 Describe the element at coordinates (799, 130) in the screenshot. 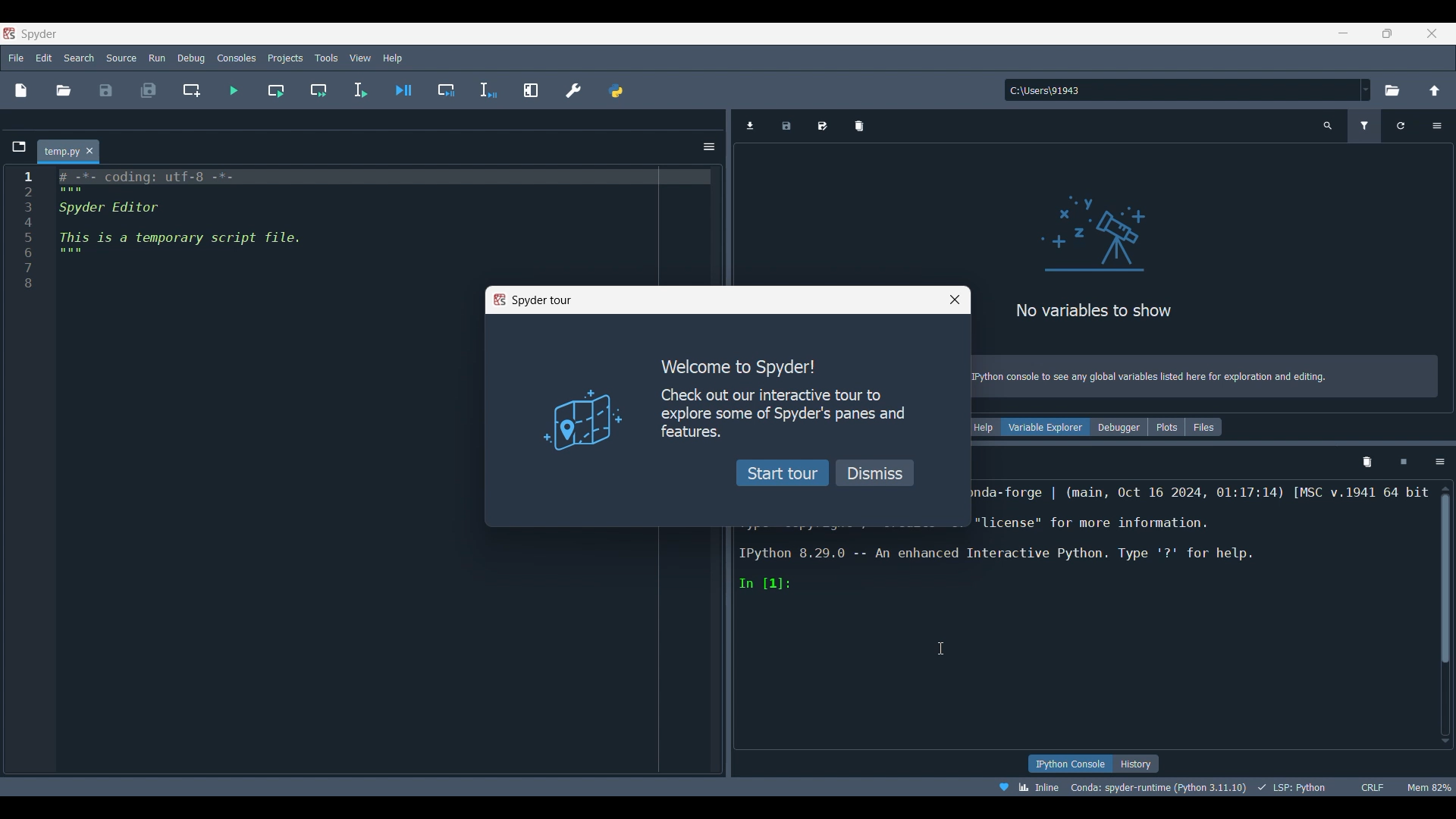

I see `Current tab` at that location.